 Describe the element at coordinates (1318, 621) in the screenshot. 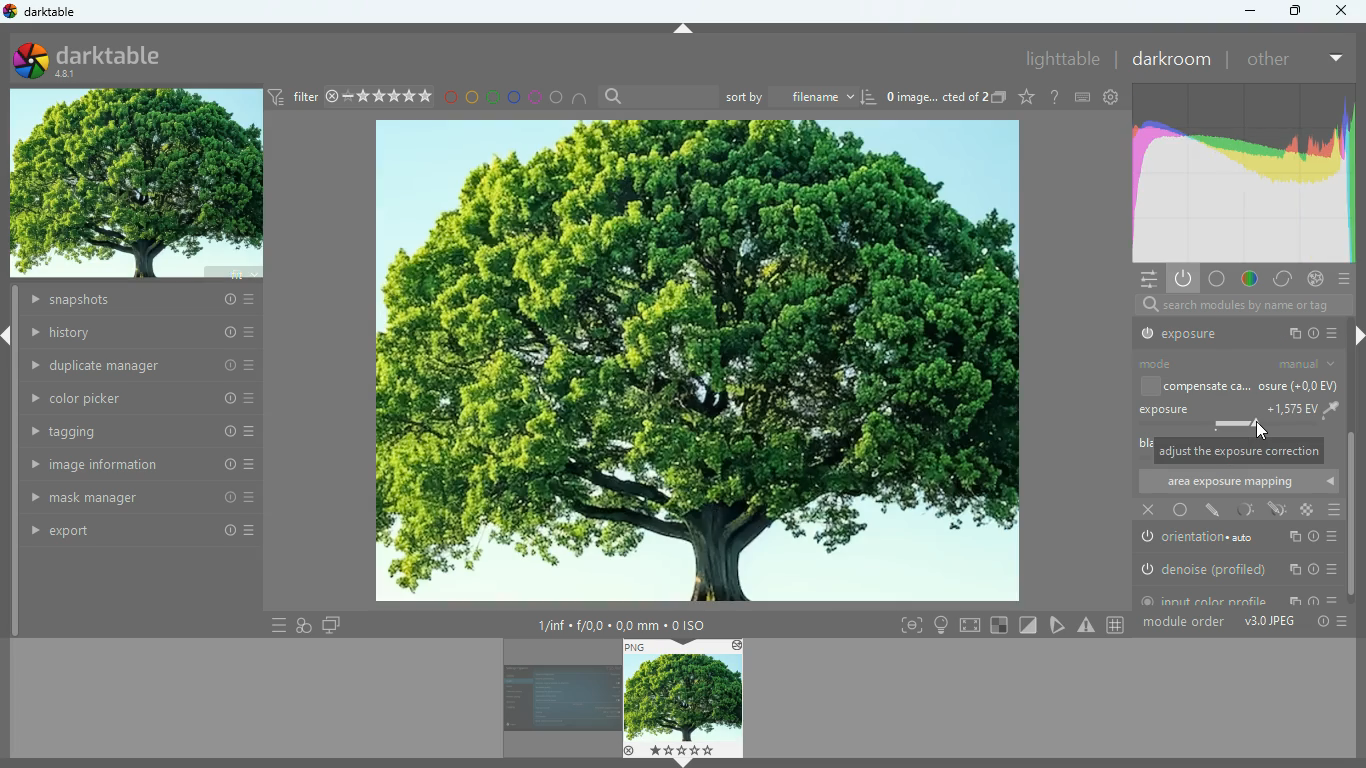

I see `info` at that location.